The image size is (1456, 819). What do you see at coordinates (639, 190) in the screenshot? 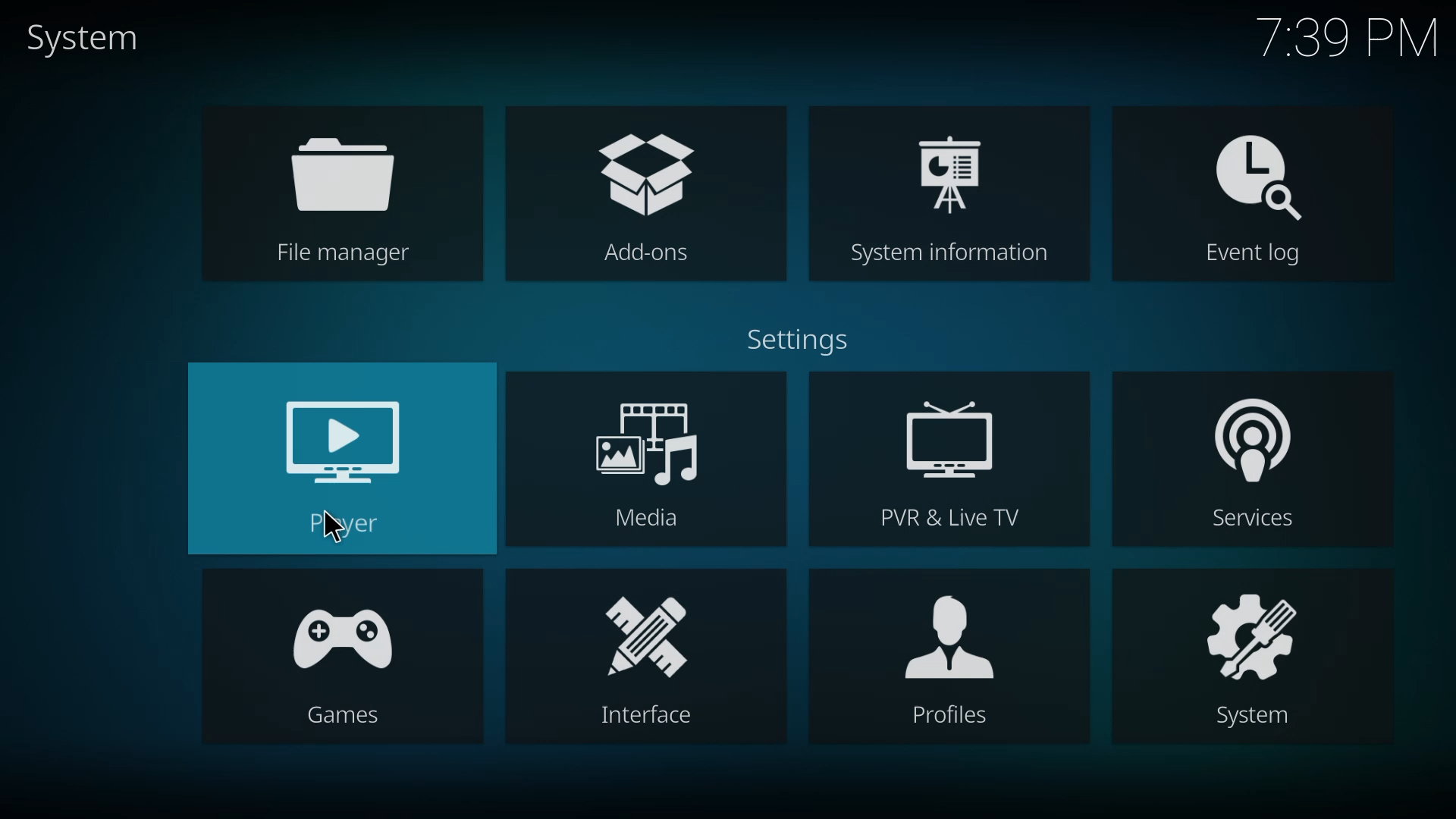
I see `add-ons` at bounding box center [639, 190].